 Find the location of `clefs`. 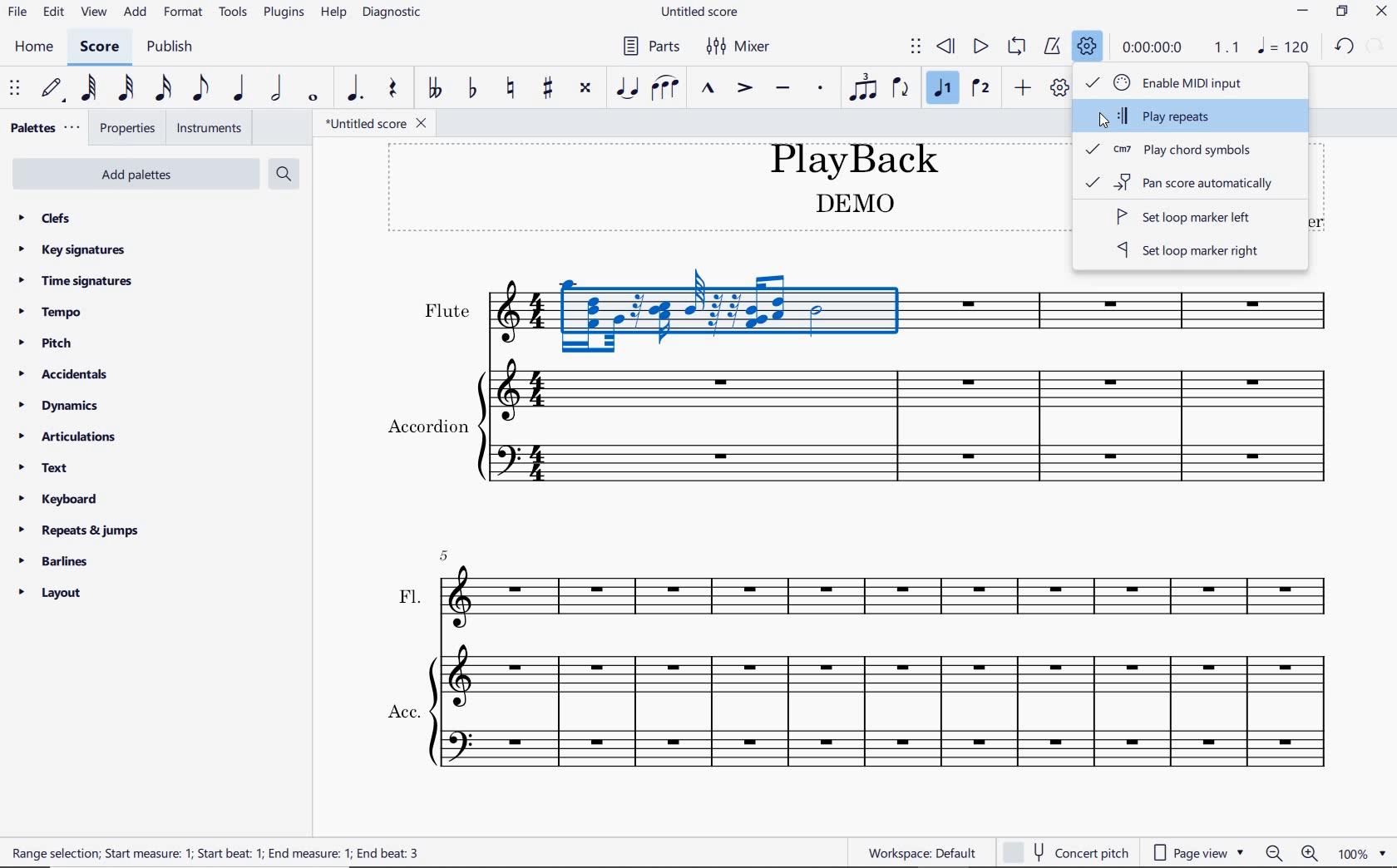

clefs is located at coordinates (54, 217).